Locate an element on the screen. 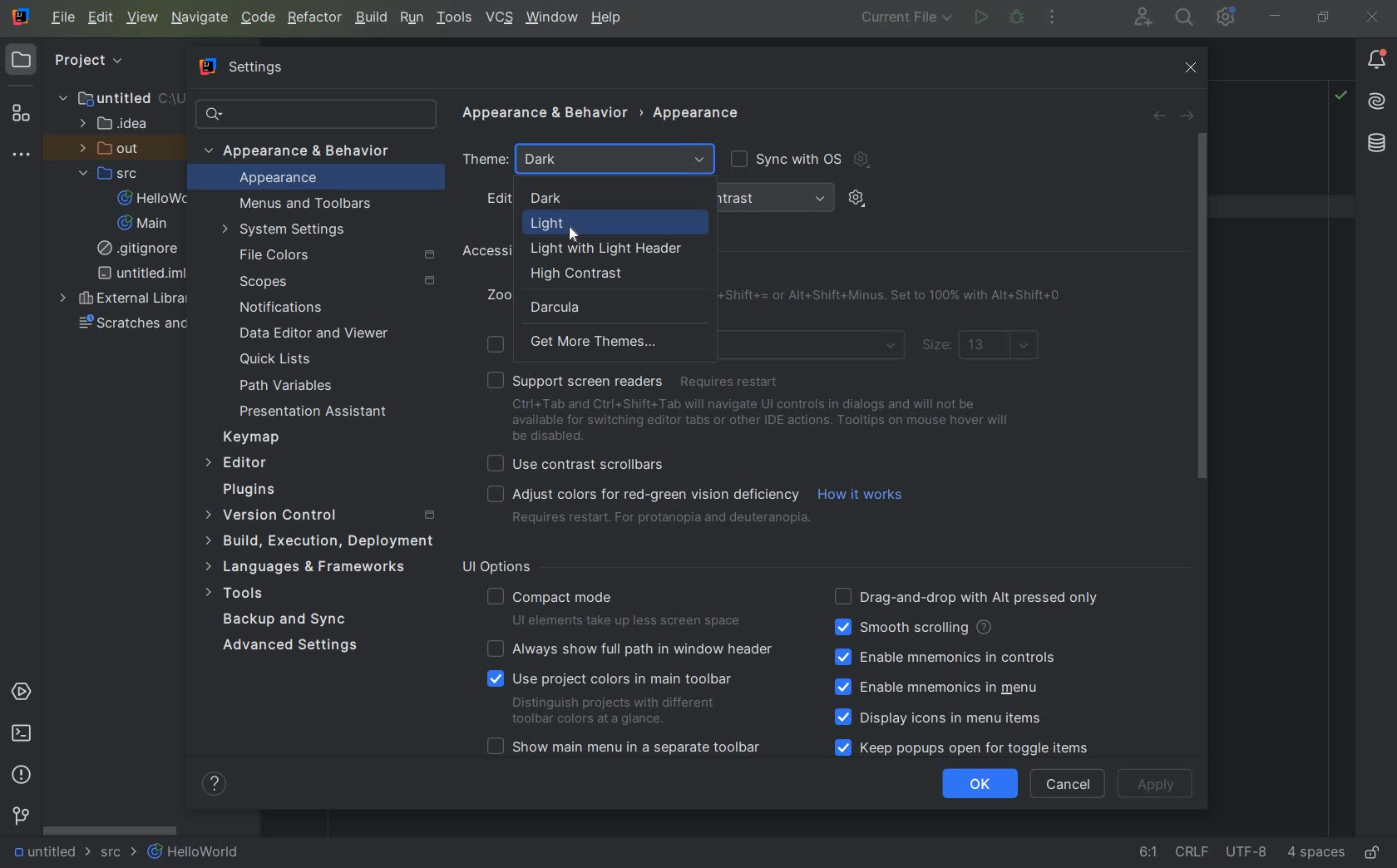 This screenshot has width=1397, height=868. Edit: dark is located at coordinates (568, 198).